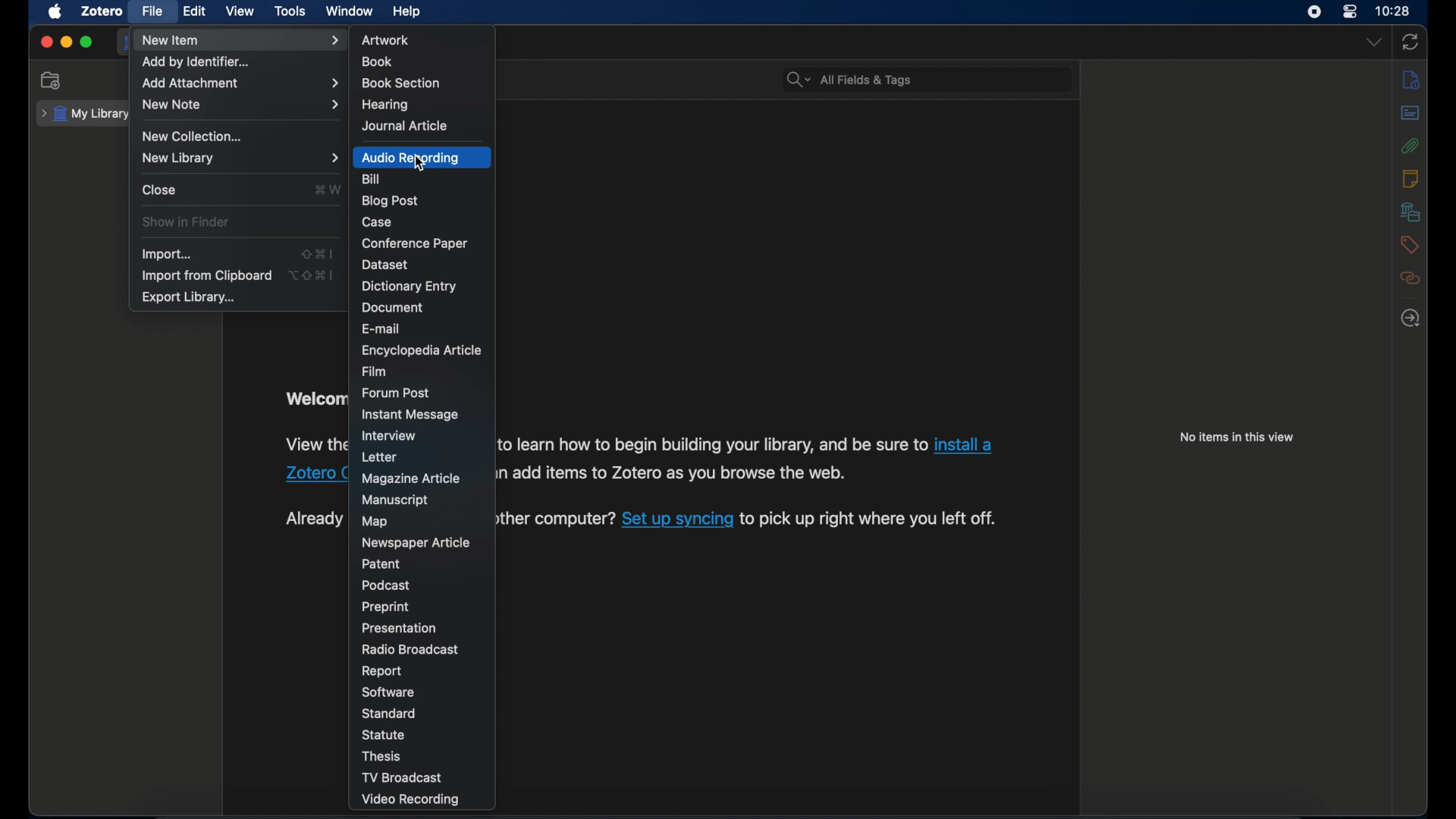 The width and height of the screenshot is (1456, 819). What do you see at coordinates (312, 274) in the screenshot?
I see `shortcut` at bounding box center [312, 274].